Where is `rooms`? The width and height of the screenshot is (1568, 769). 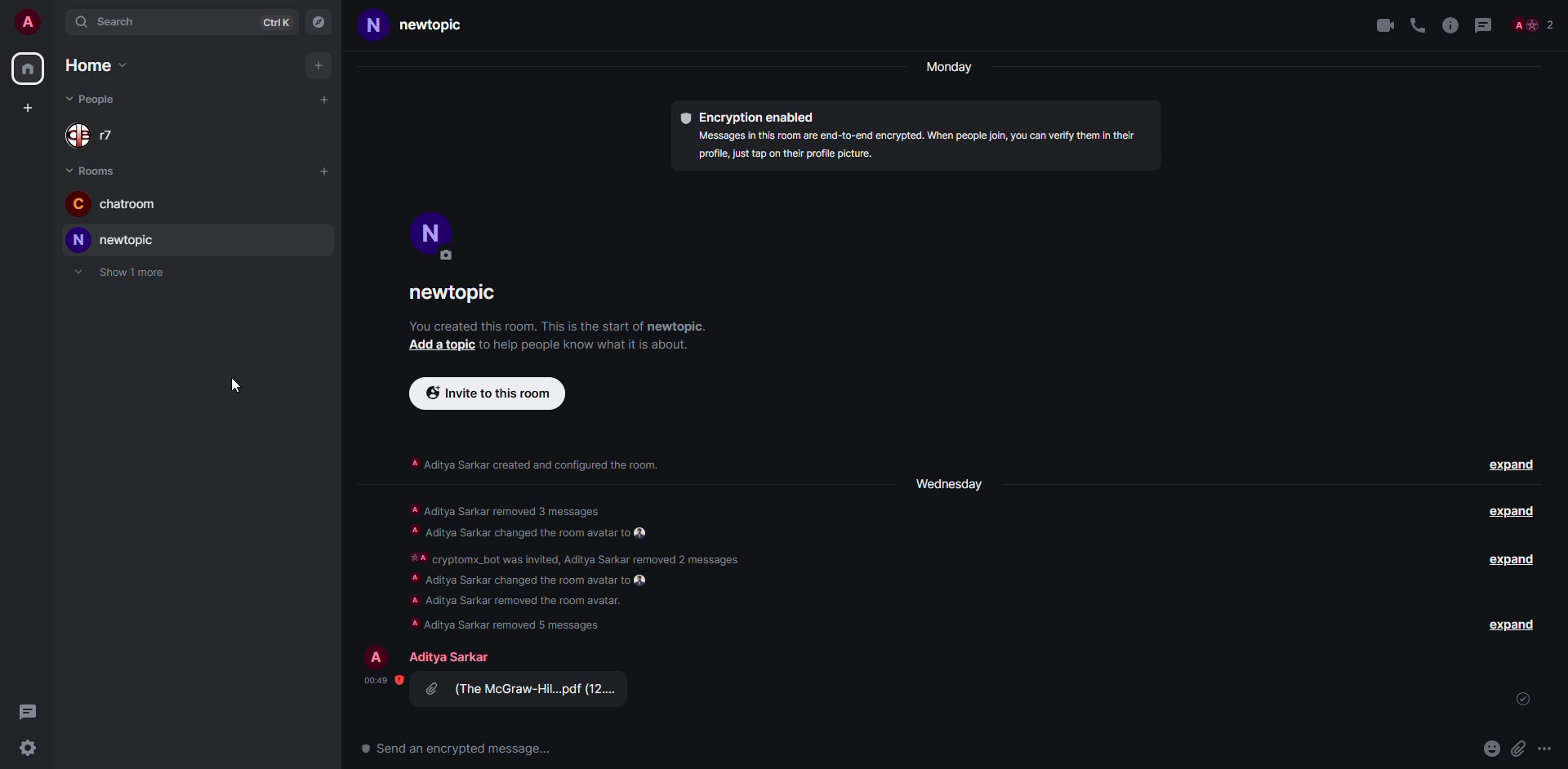 rooms is located at coordinates (91, 170).